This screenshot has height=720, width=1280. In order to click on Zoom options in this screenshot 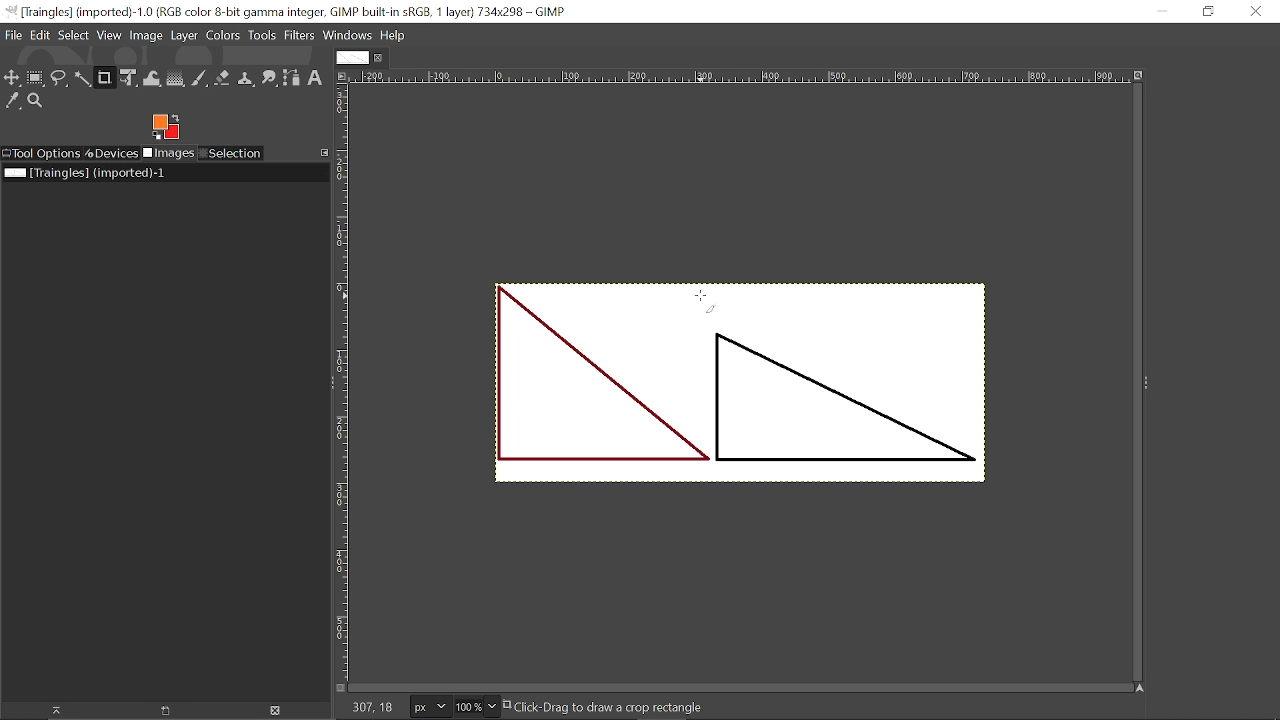, I will do `click(491, 707)`.